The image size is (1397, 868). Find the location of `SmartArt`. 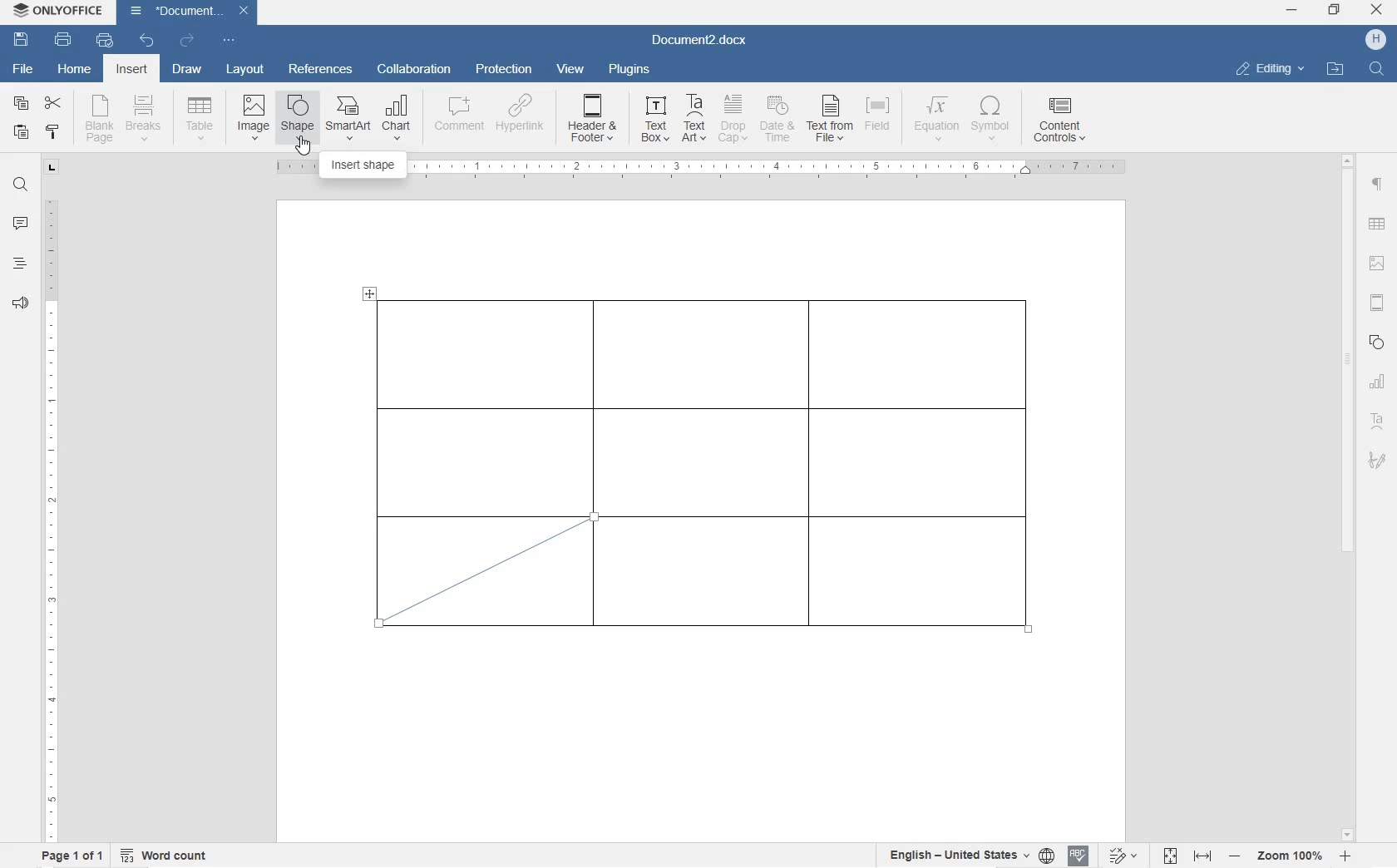

SmartArt is located at coordinates (348, 118).